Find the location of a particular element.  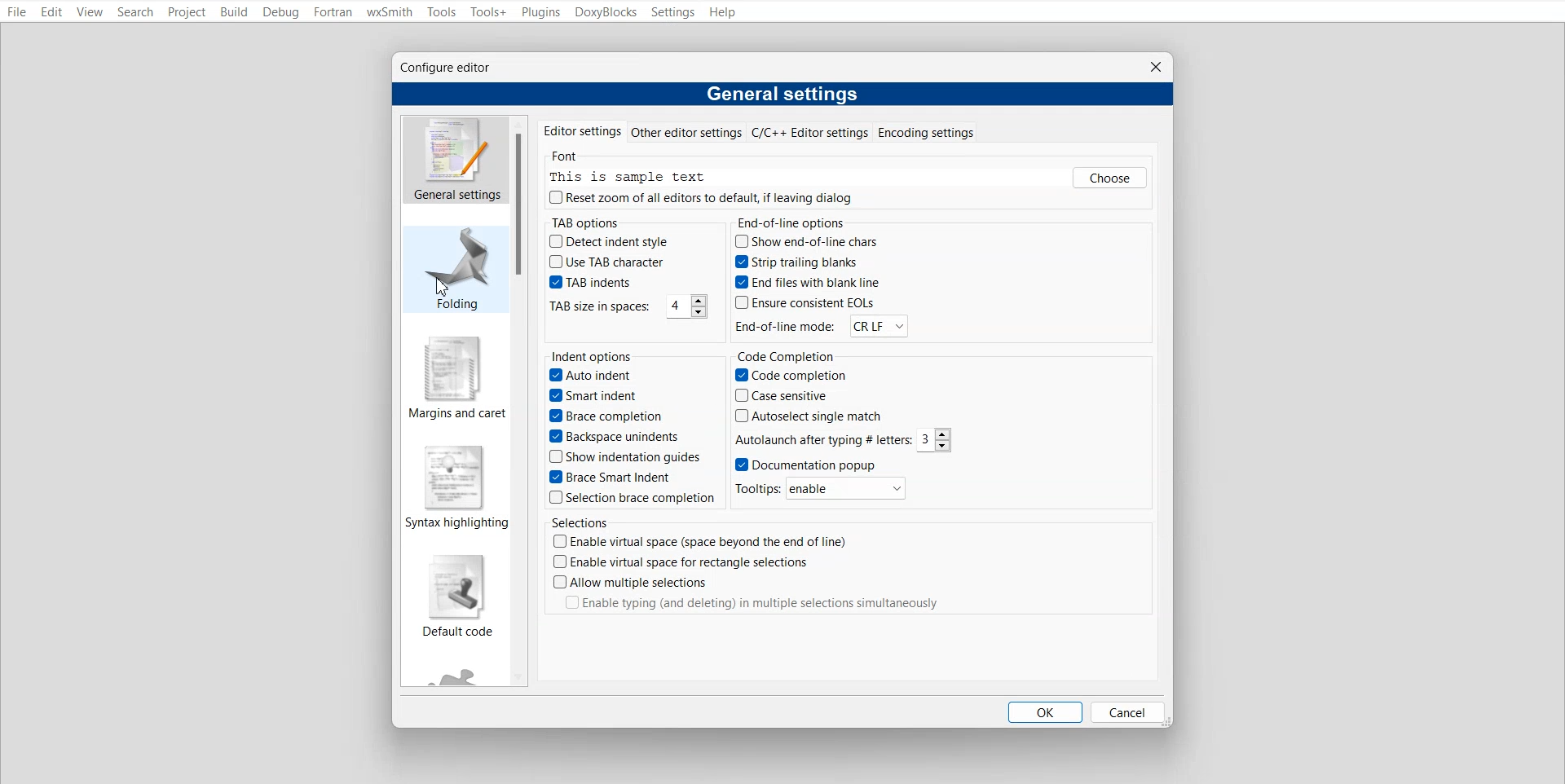

Autolaunch after typing # letters: is located at coordinates (822, 440).